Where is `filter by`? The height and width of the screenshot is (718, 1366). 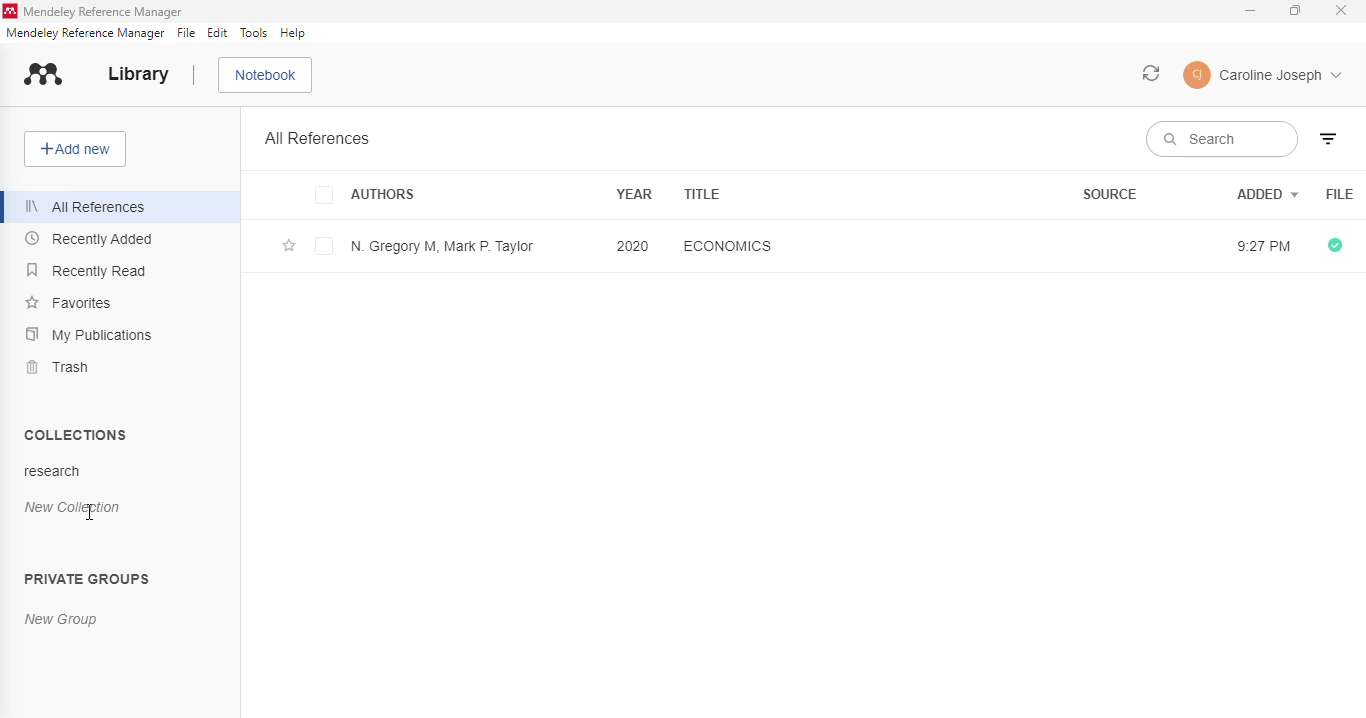
filter by is located at coordinates (1328, 139).